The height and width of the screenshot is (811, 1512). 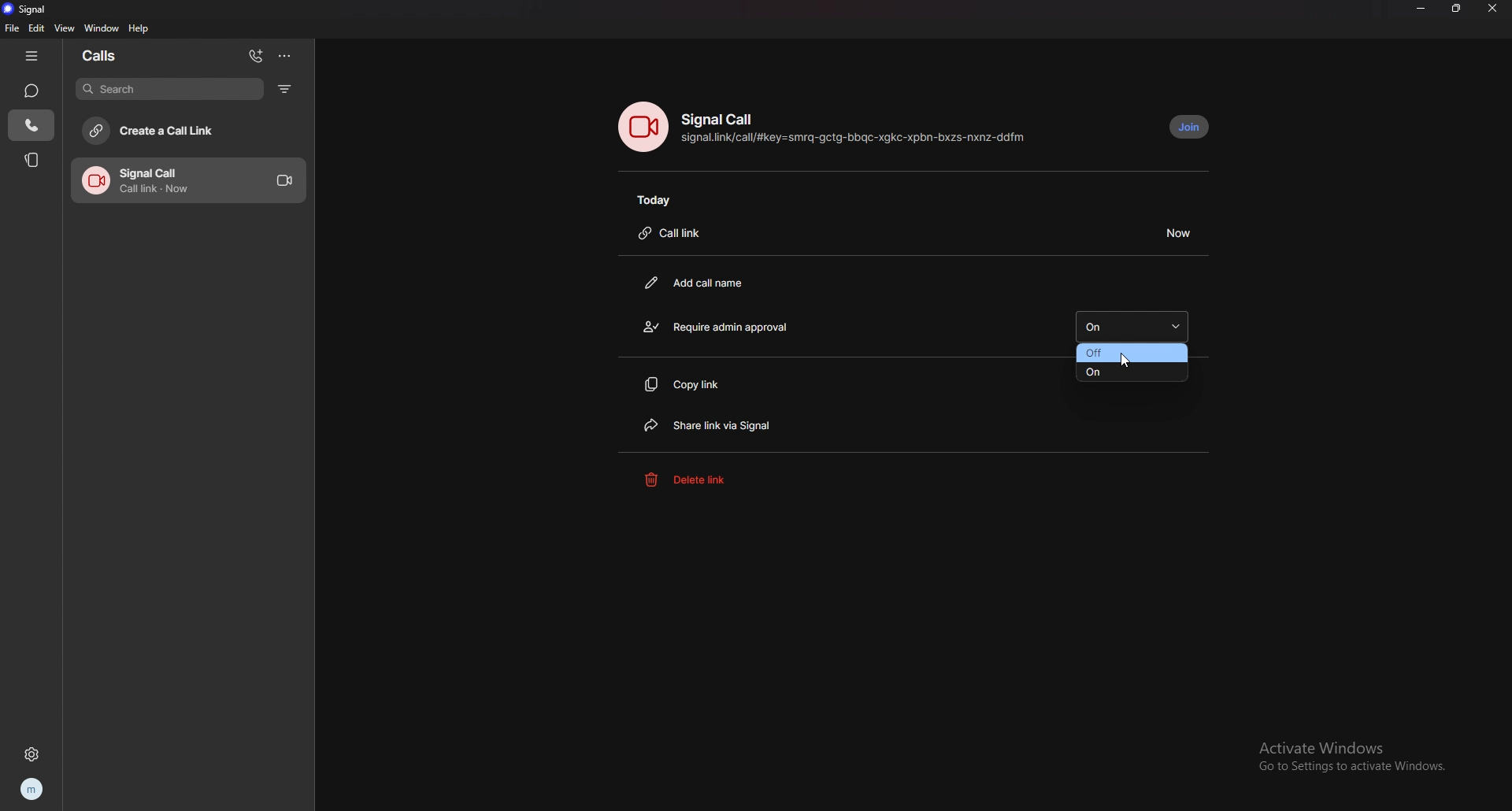 I want to click on delete link, so click(x=710, y=479).